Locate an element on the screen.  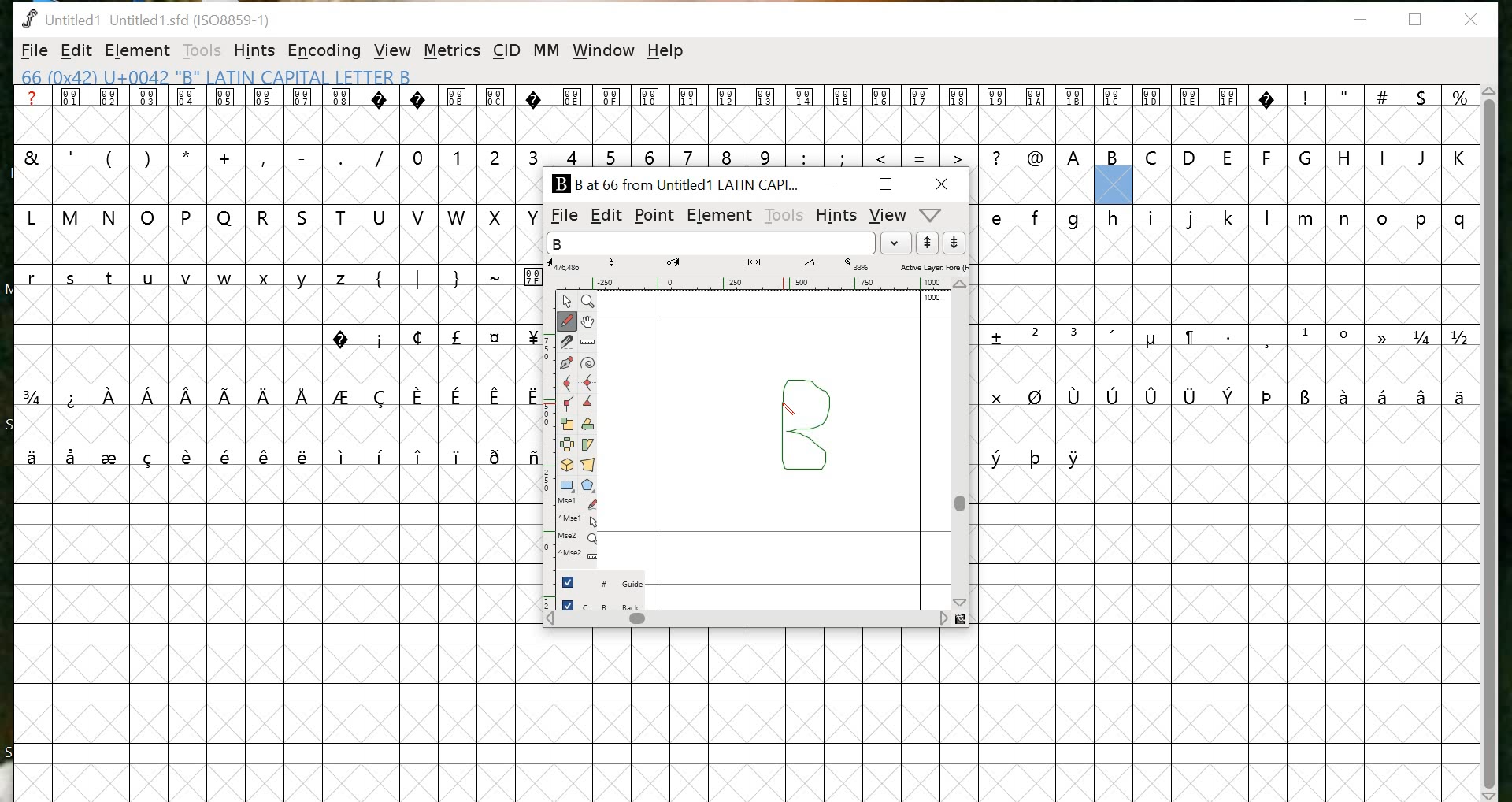
scrollbar is located at coordinates (1489, 442).